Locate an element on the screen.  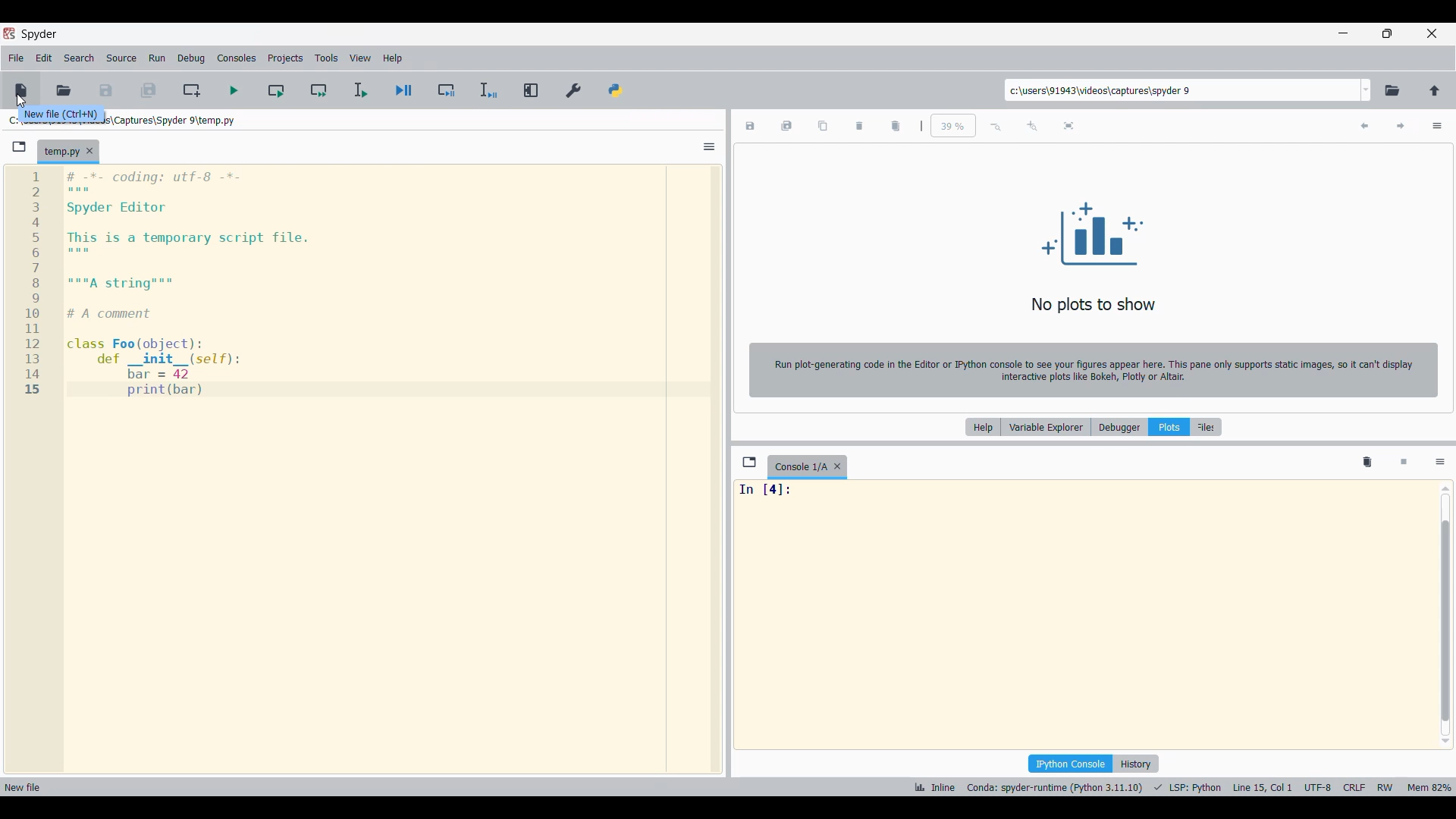
Current tab is located at coordinates (800, 467).